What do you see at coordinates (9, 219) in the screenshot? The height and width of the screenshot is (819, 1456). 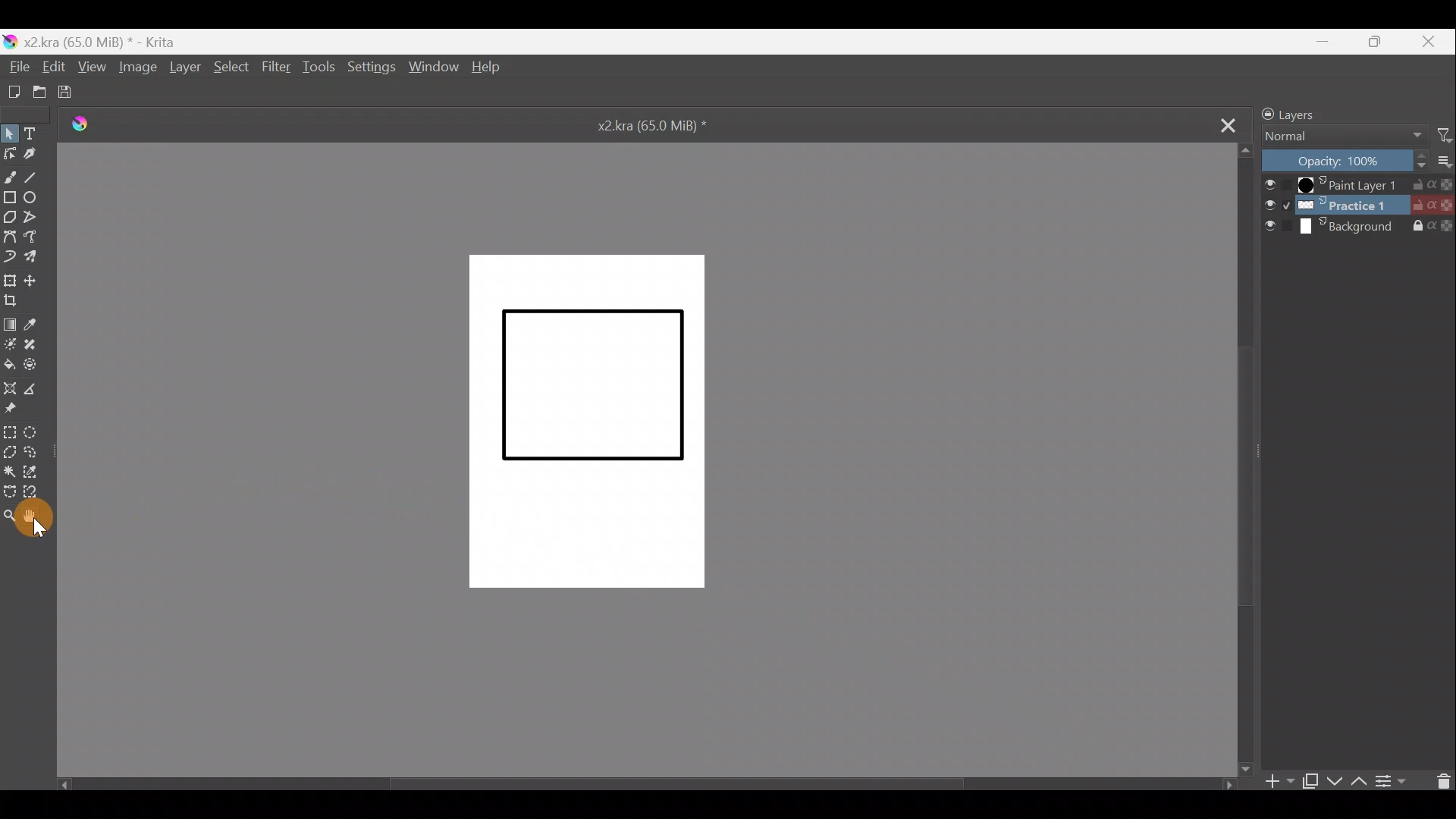 I see `Polygon tool` at bounding box center [9, 219].